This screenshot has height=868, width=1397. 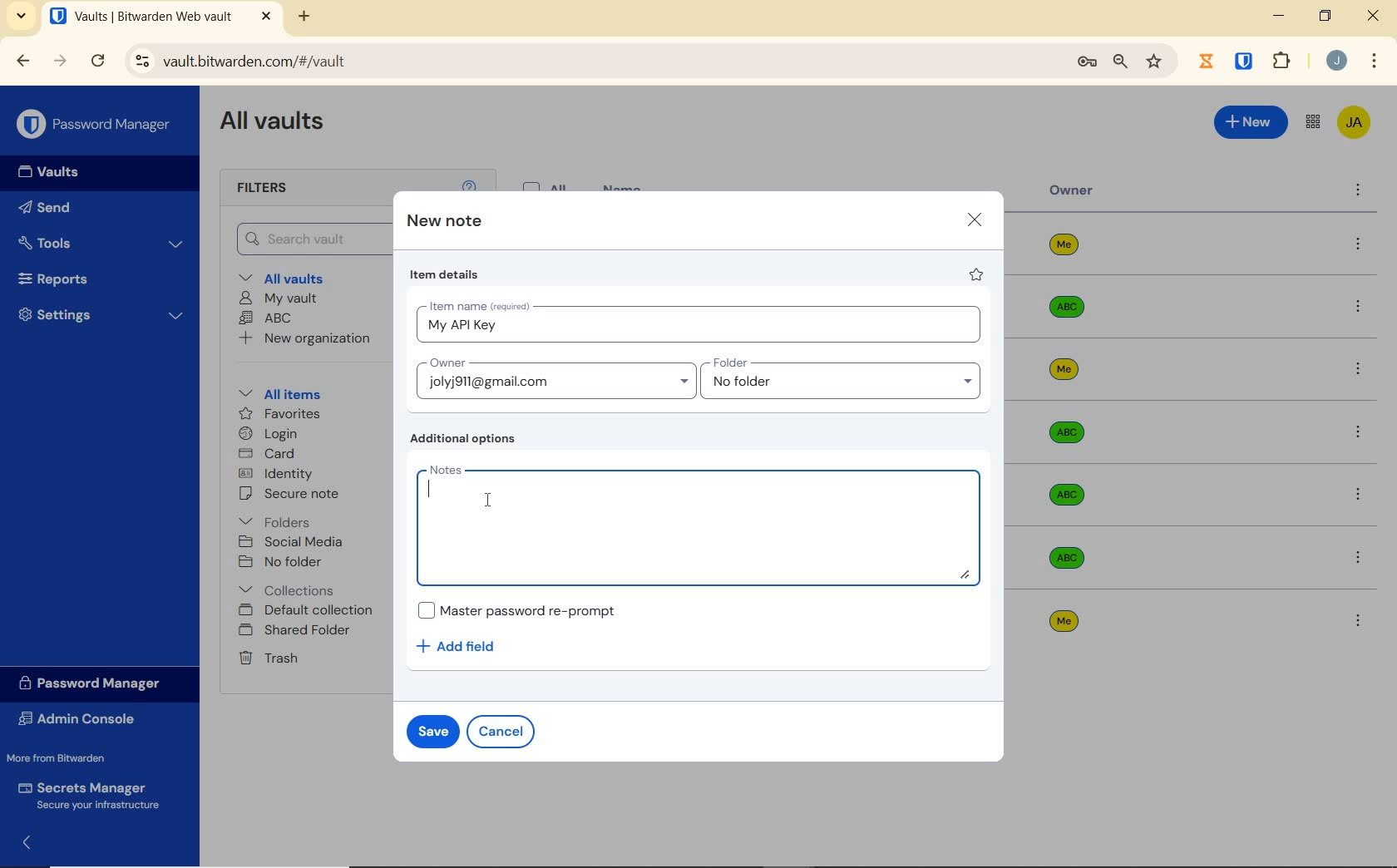 What do you see at coordinates (297, 631) in the screenshot?
I see `shared folder` at bounding box center [297, 631].